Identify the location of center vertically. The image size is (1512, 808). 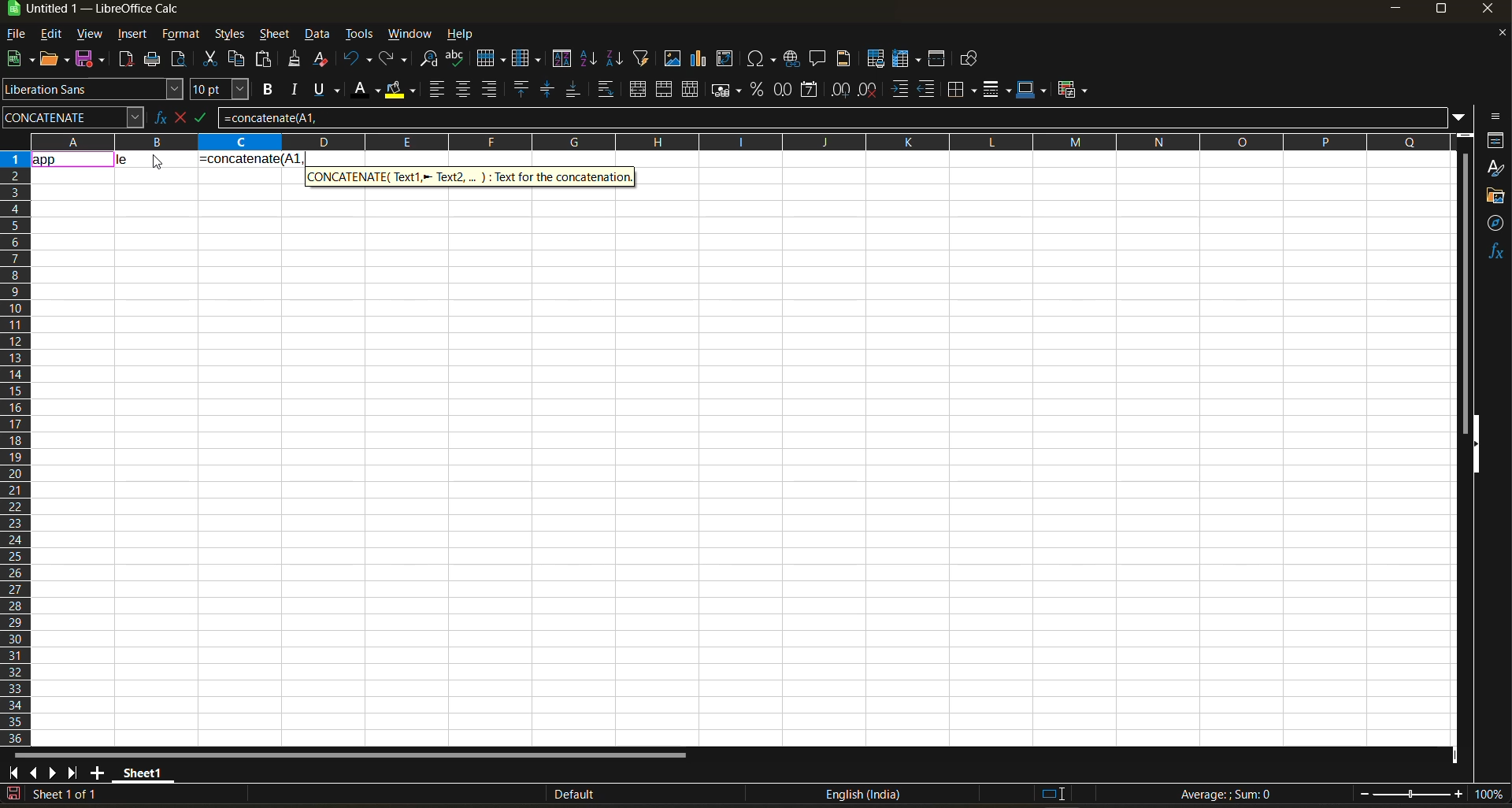
(547, 90).